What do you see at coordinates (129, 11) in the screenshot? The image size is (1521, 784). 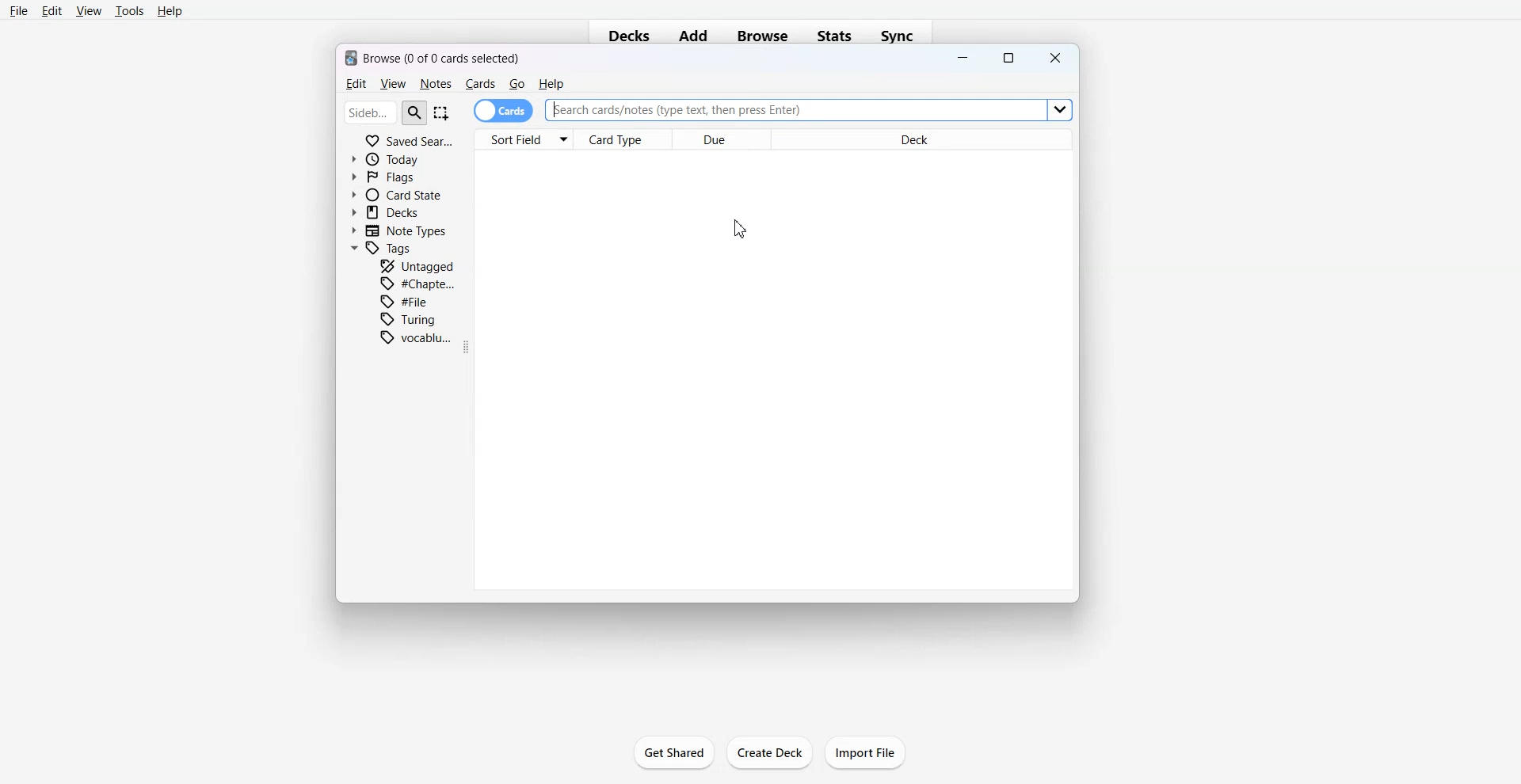 I see `Tools` at bounding box center [129, 11].